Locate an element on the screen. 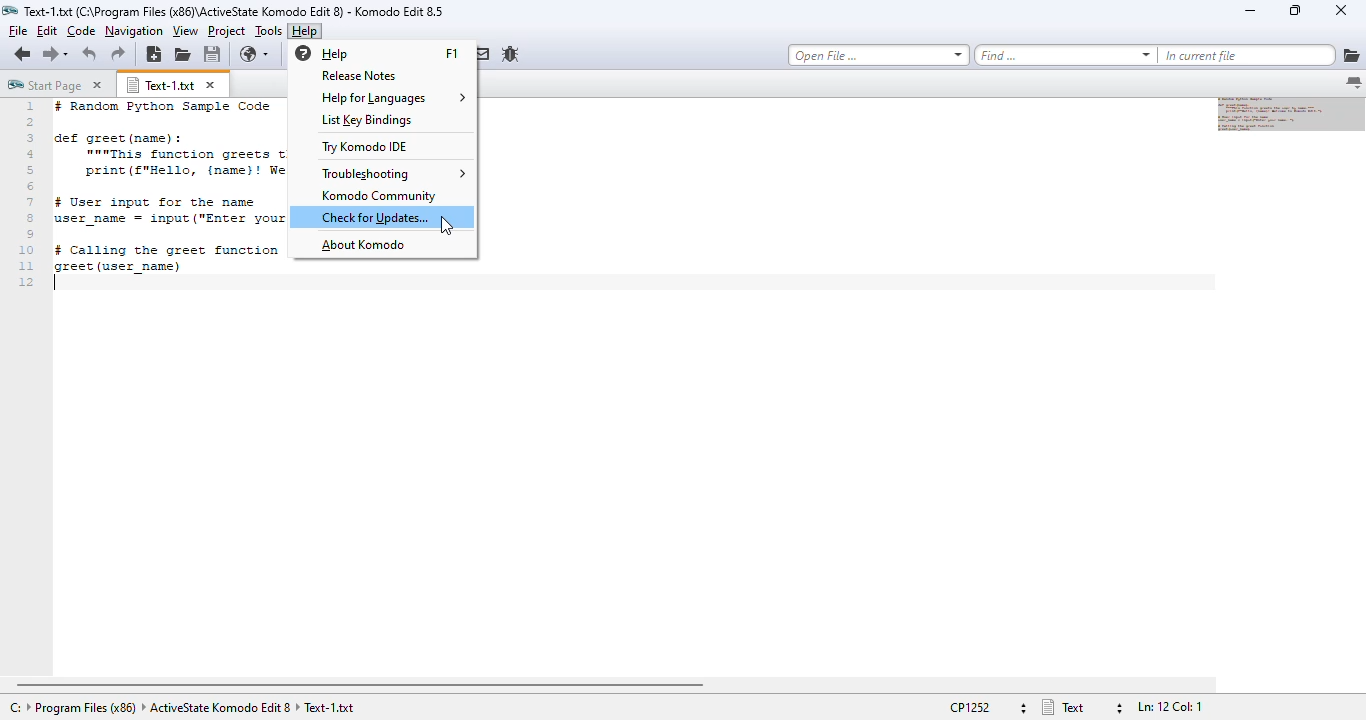  file encoding is located at coordinates (987, 707).